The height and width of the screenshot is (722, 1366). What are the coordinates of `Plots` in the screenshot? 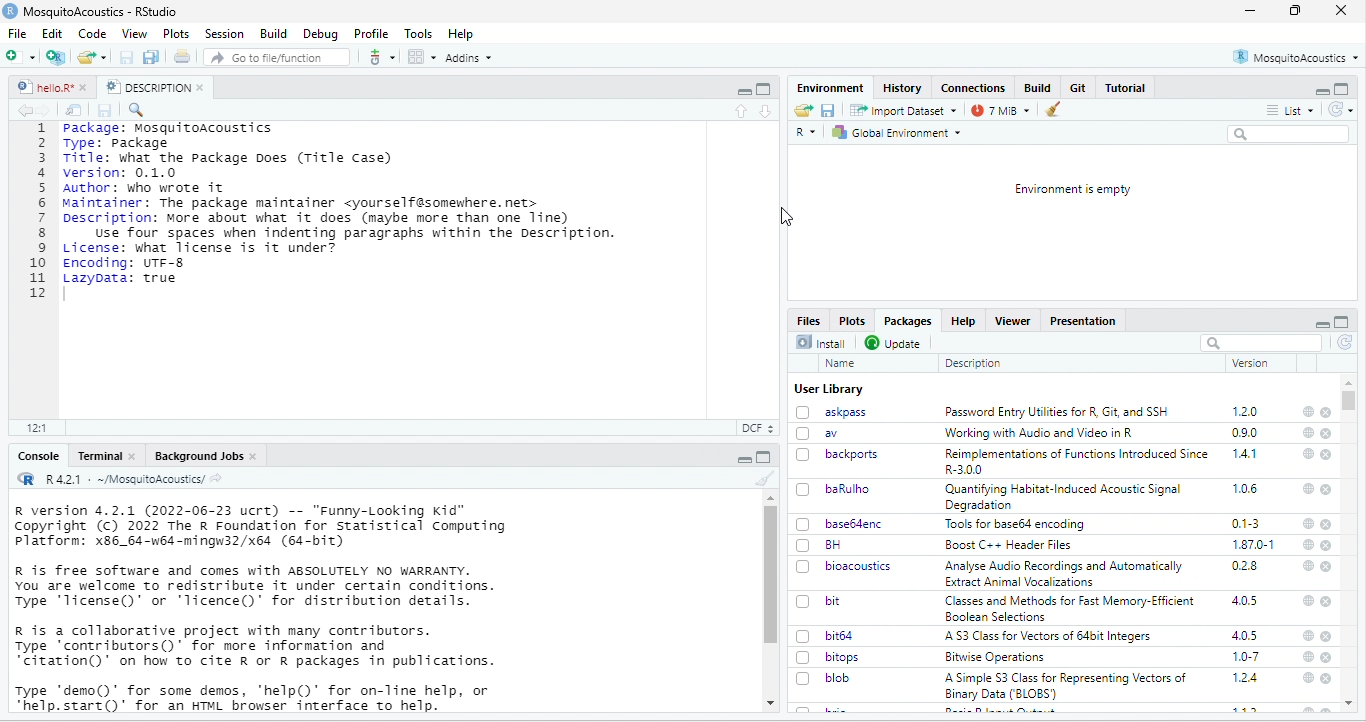 It's located at (855, 320).